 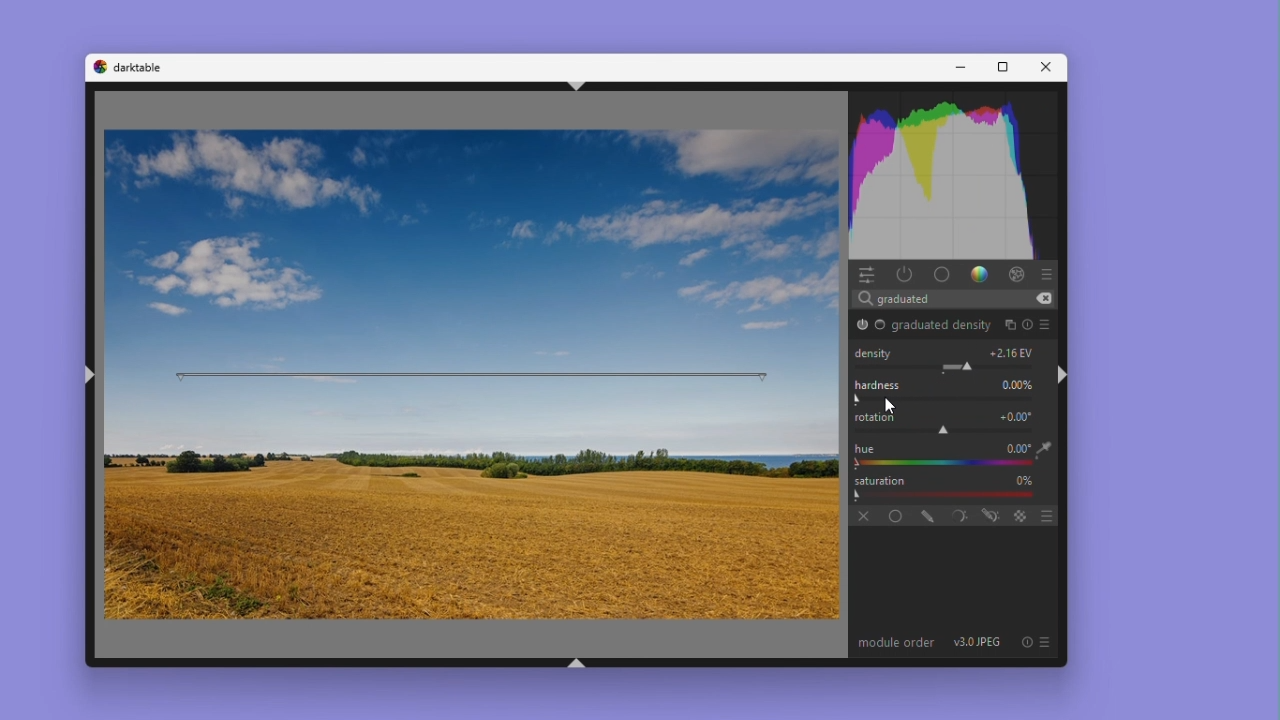 What do you see at coordinates (958, 297) in the screenshot?
I see `Search bar` at bounding box center [958, 297].